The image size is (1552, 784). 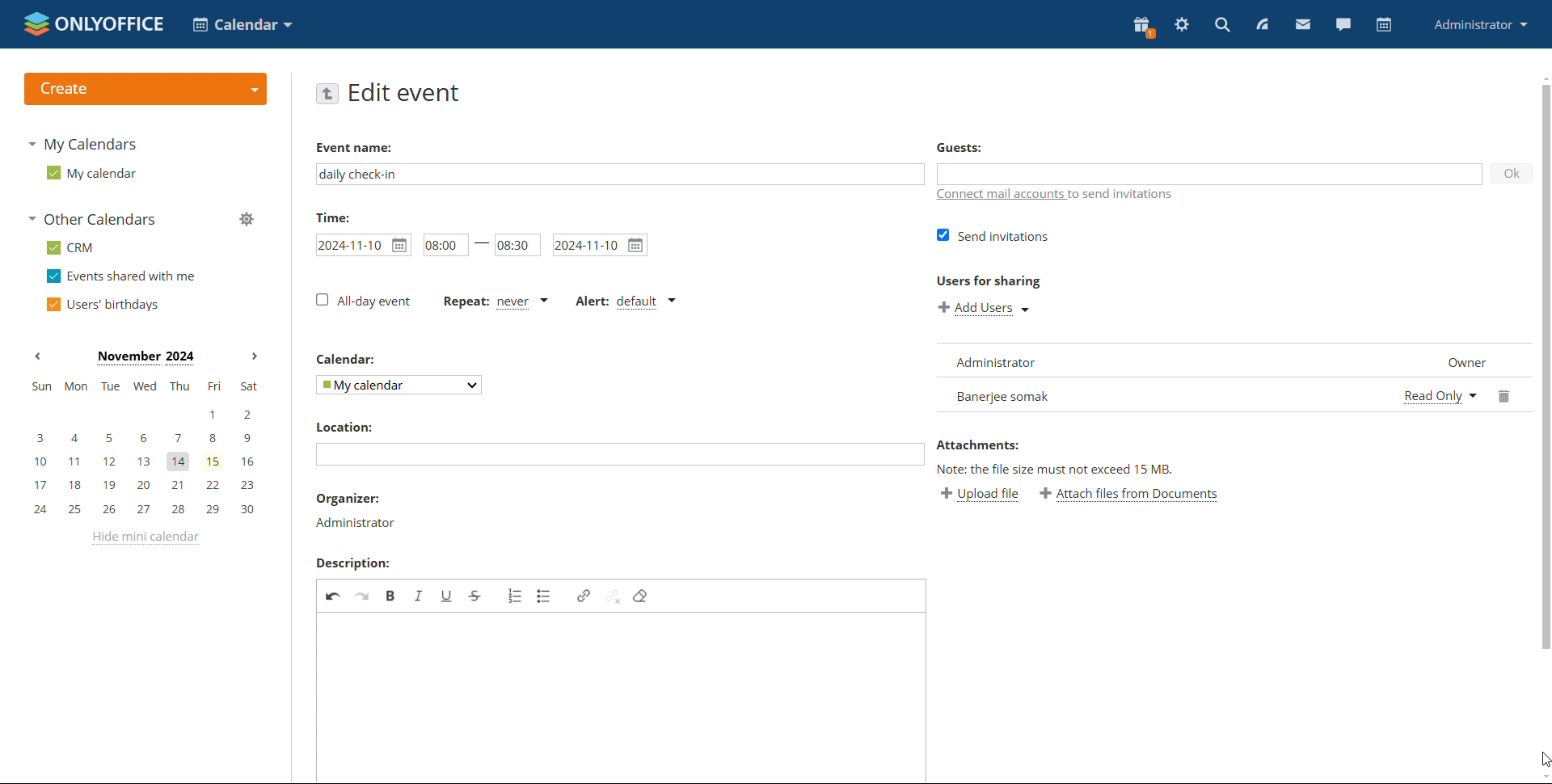 What do you see at coordinates (332, 217) in the screenshot?
I see `time:` at bounding box center [332, 217].